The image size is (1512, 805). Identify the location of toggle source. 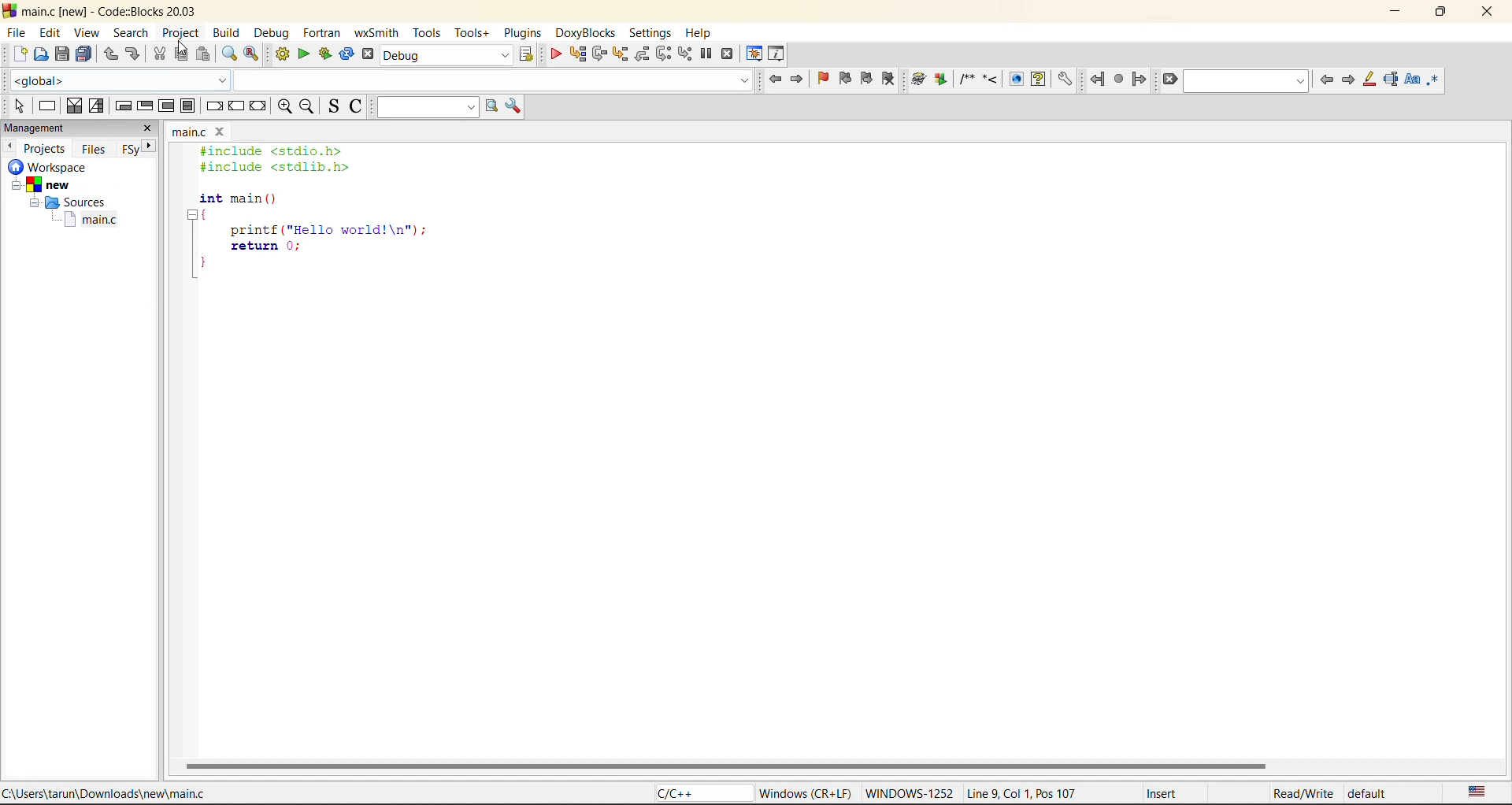
(333, 106).